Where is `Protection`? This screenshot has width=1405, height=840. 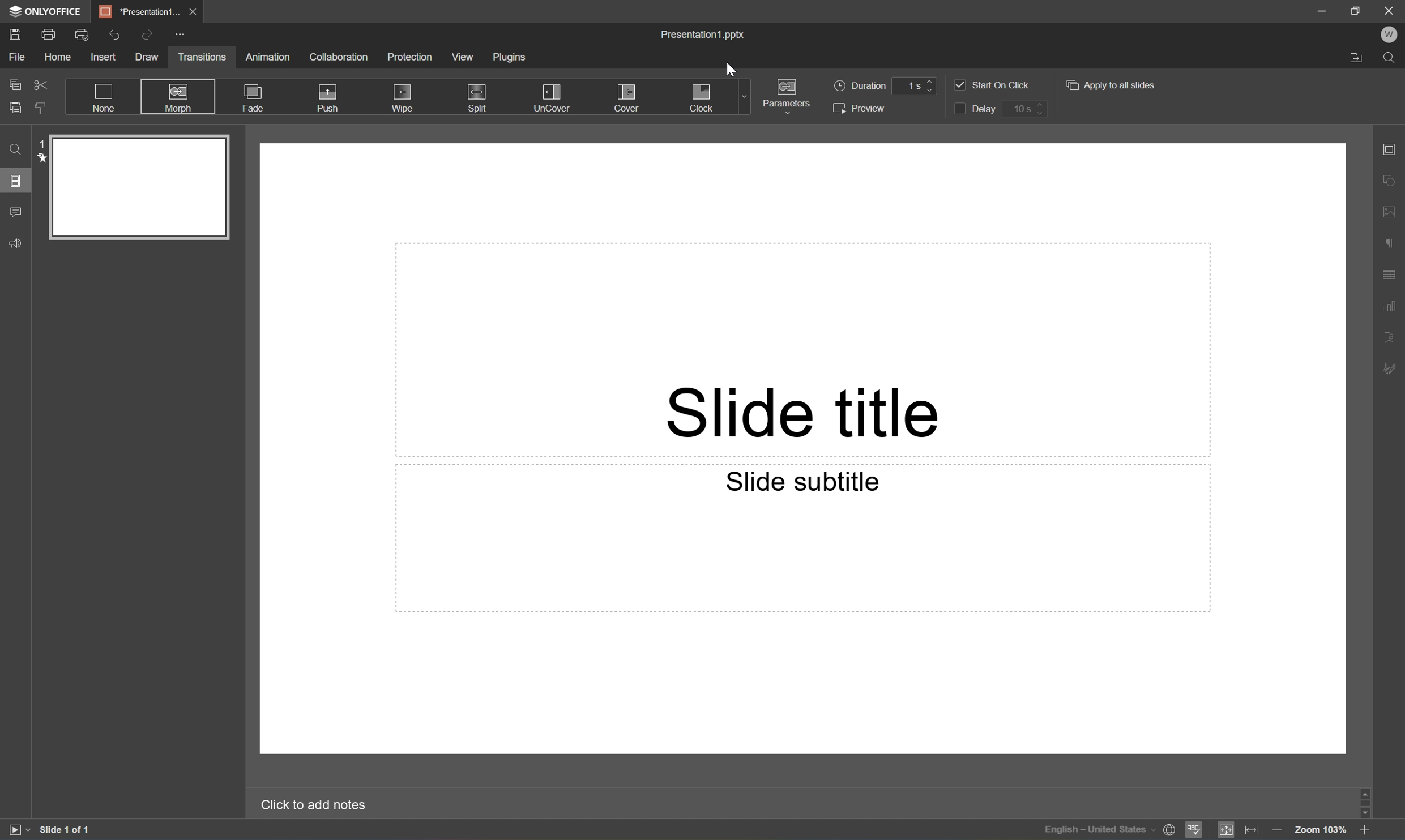
Protection is located at coordinates (410, 57).